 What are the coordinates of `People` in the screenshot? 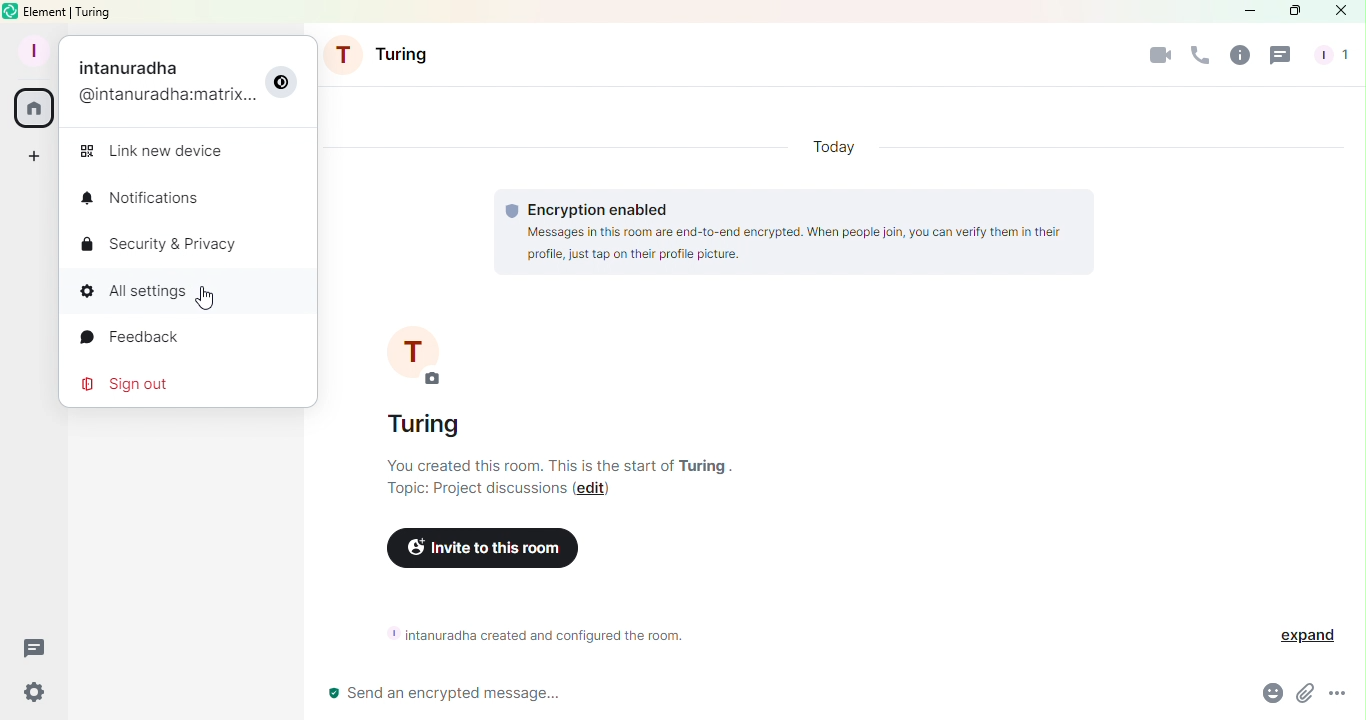 It's located at (1330, 56).